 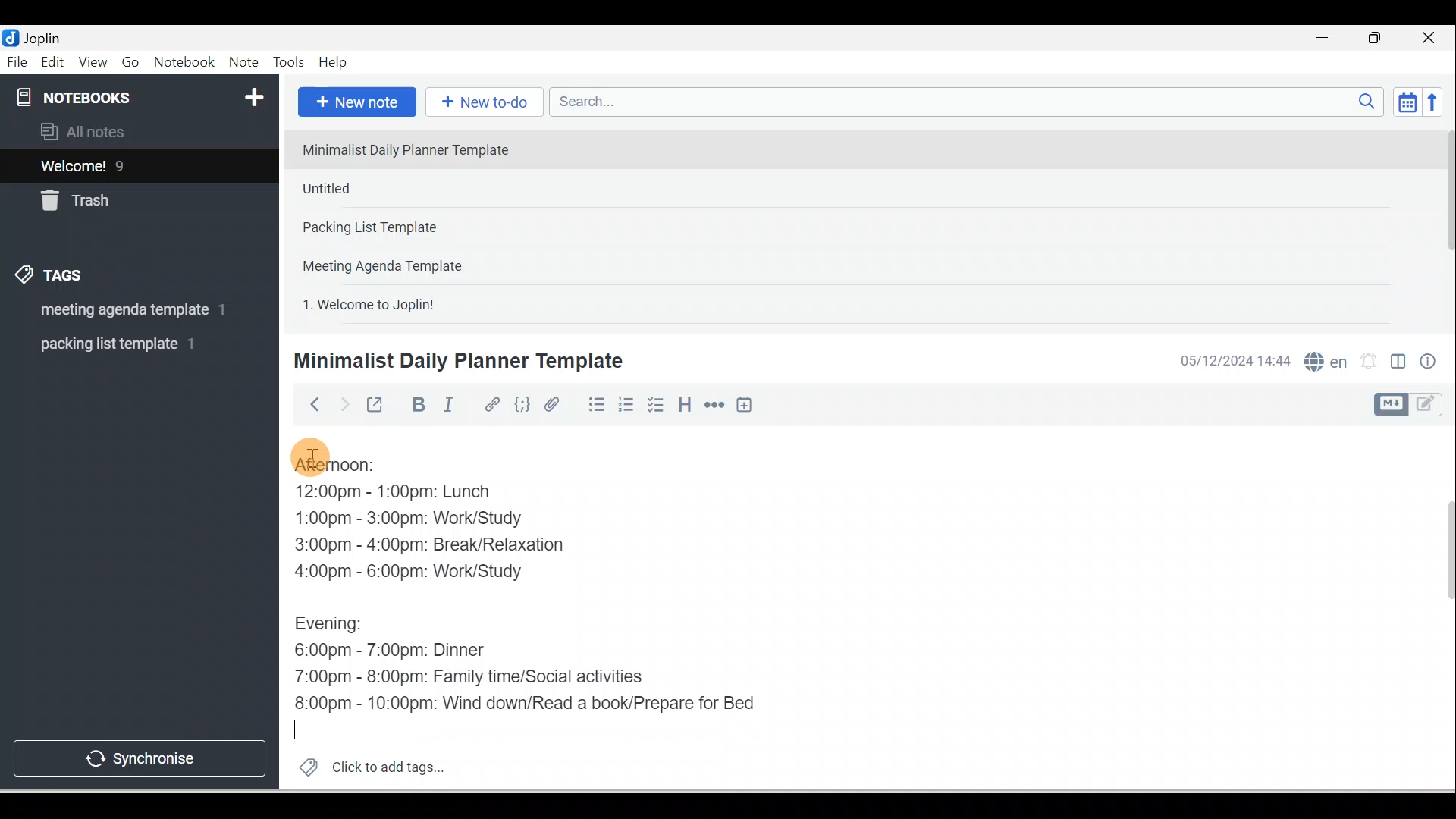 I want to click on Minimise, so click(x=1327, y=39).